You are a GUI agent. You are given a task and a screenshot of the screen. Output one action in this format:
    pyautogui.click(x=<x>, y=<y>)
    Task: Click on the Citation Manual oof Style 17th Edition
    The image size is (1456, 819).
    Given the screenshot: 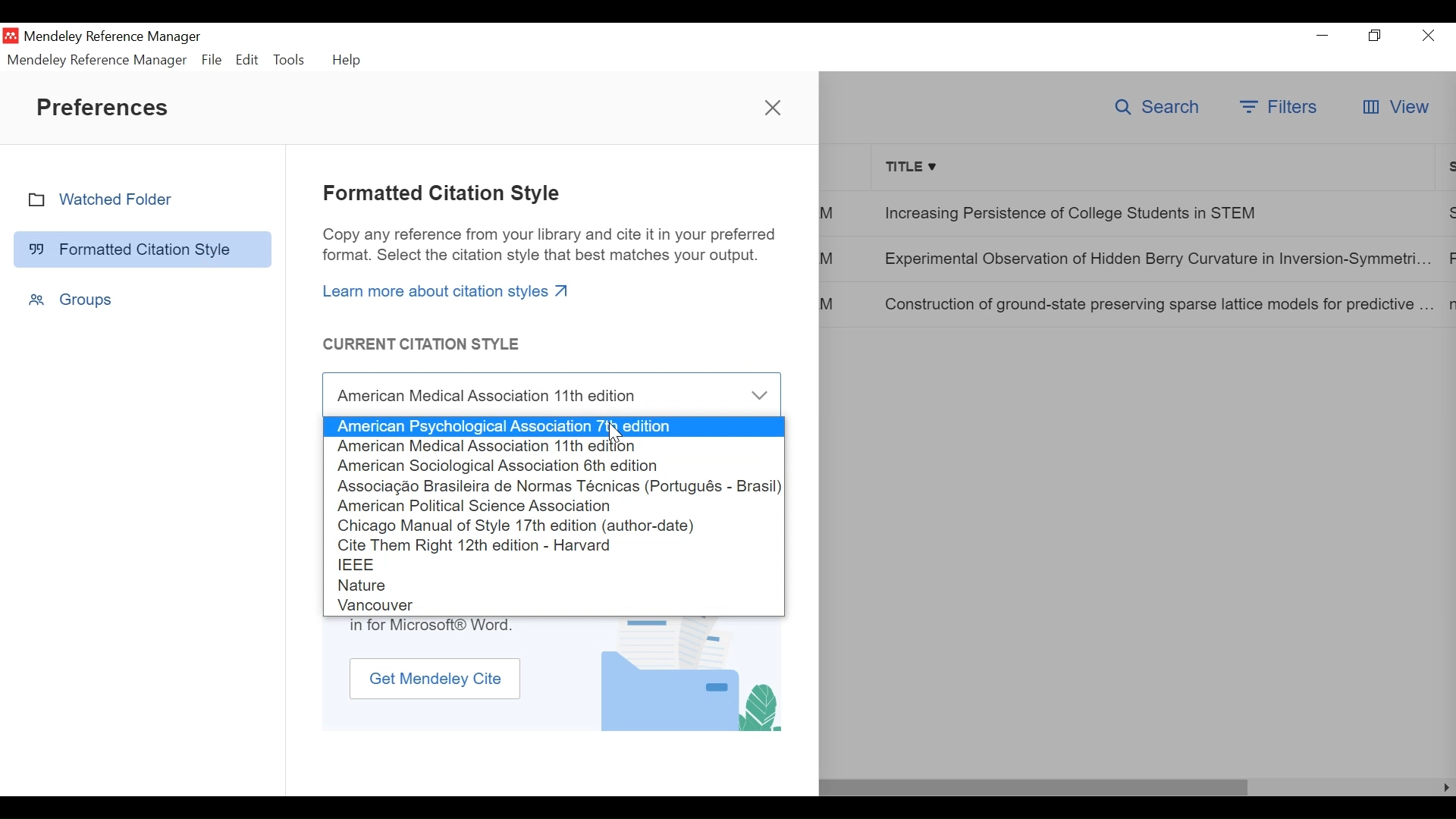 What is the action you would take?
    pyautogui.click(x=557, y=526)
    